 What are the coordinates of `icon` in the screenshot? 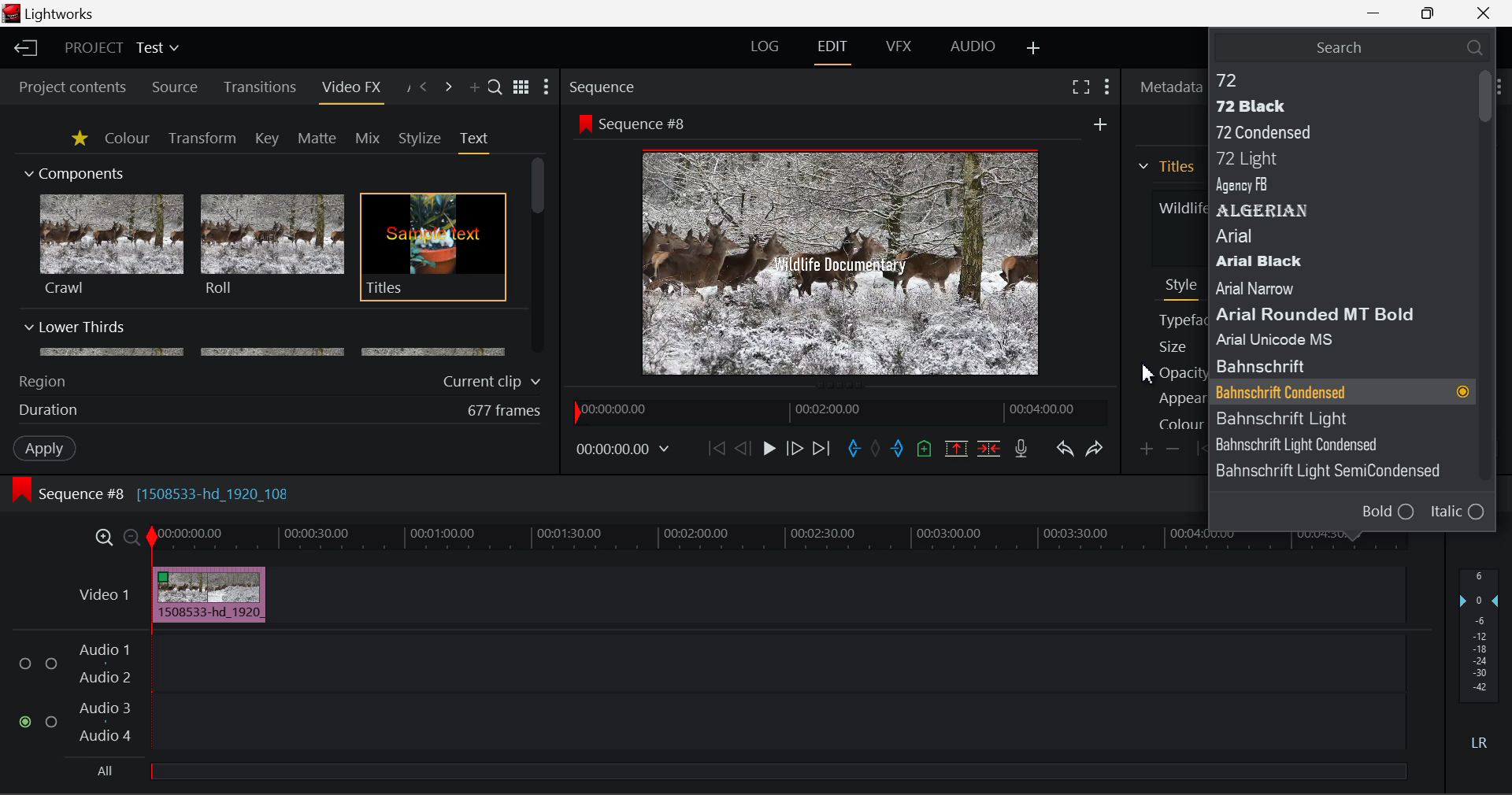 It's located at (20, 490).